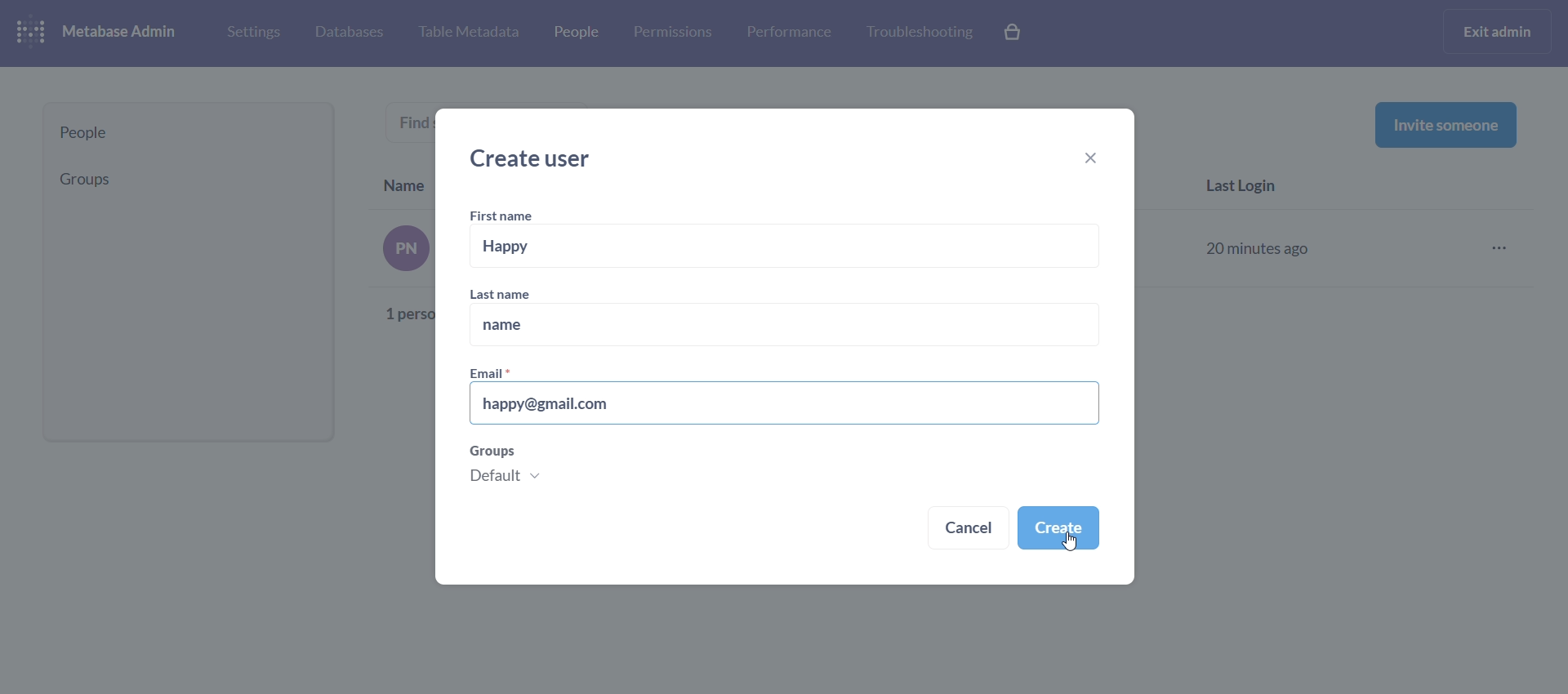 The width and height of the screenshot is (1568, 694). Describe the element at coordinates (1098, 160) in the screenshot. I see `close` at that location.